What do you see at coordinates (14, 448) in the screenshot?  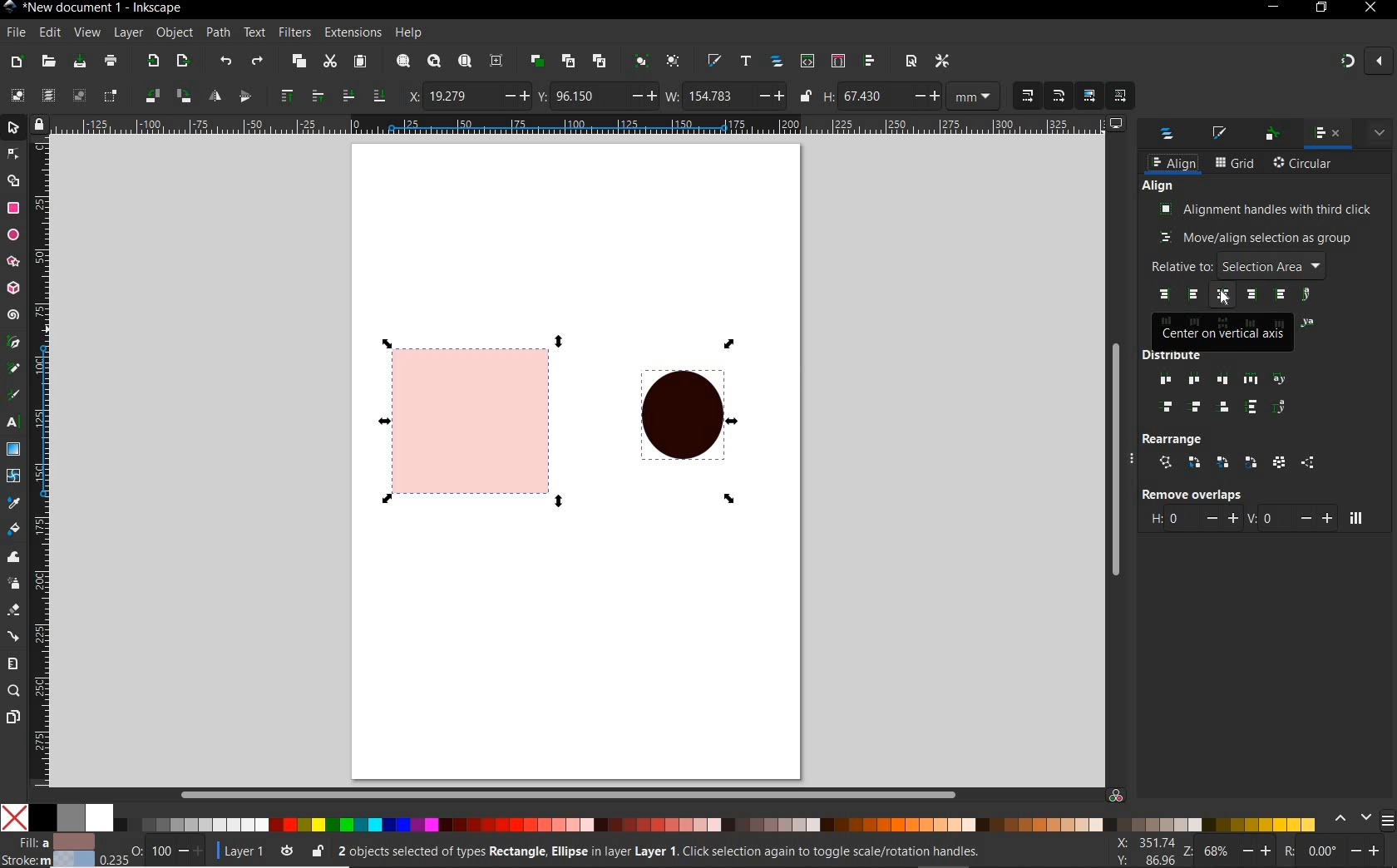 I see `gradient tool` at bounding box center [14, 448].